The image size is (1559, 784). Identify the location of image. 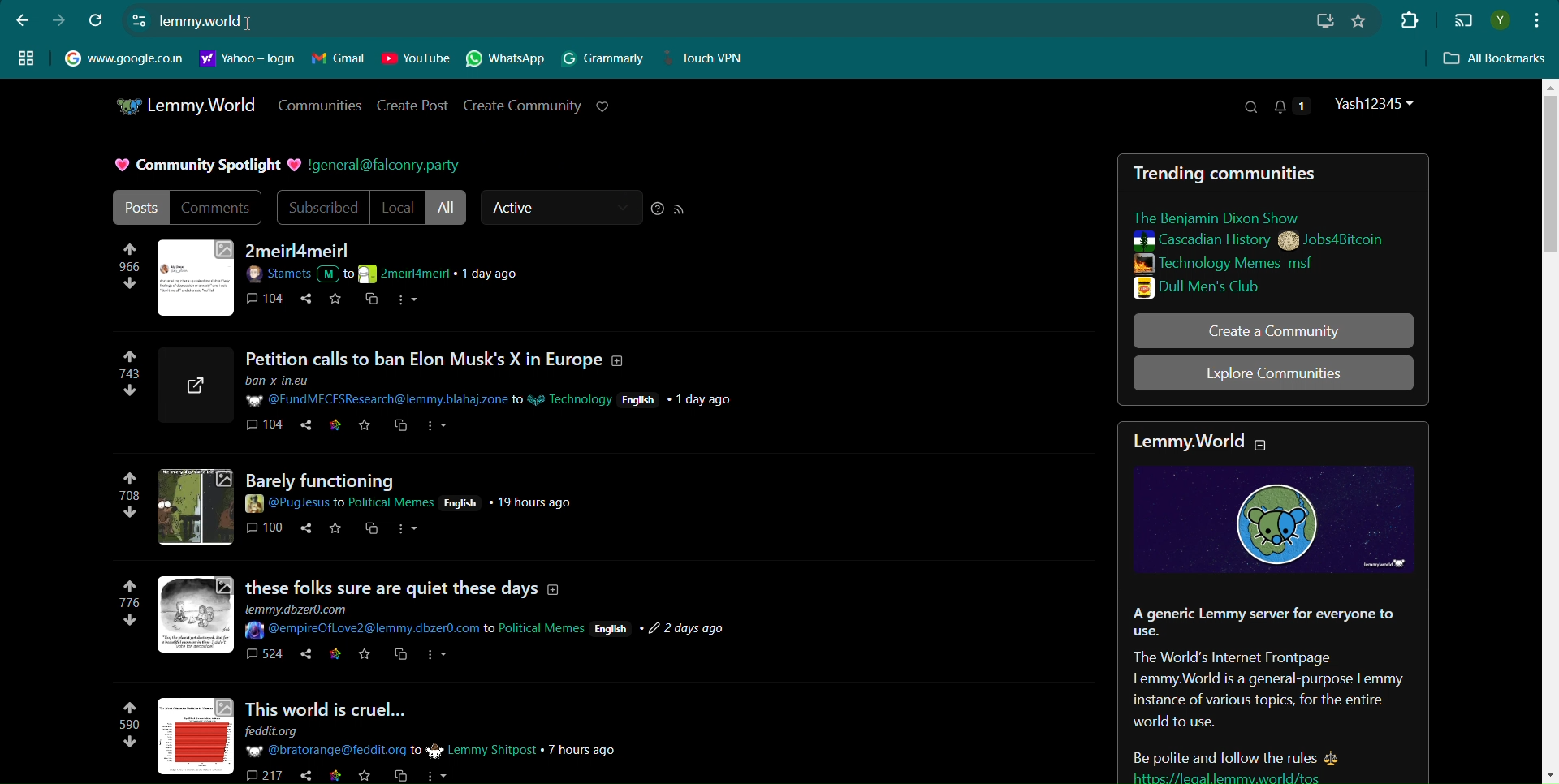
(196, 736).